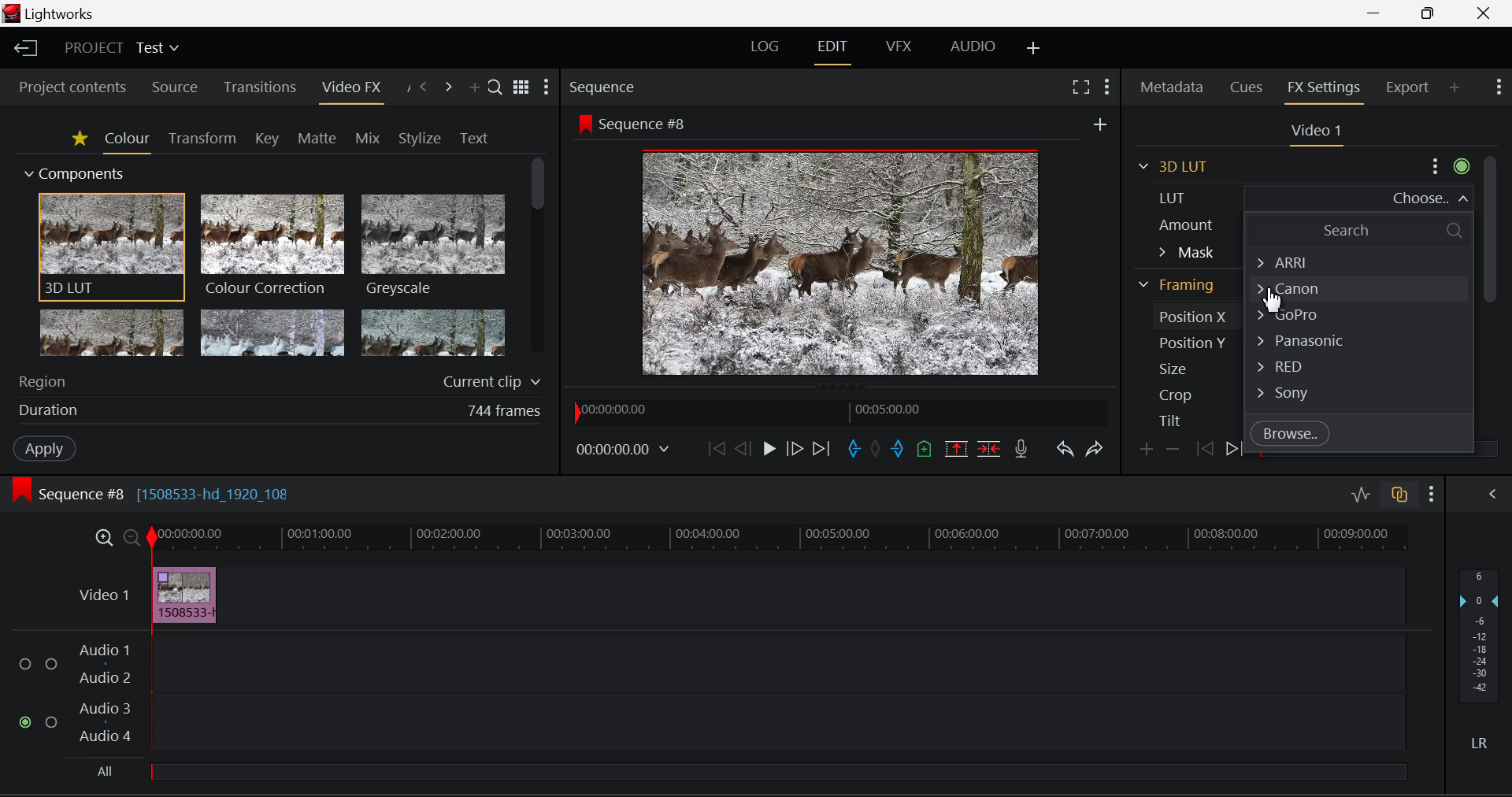  I want to click on Cursor Position, so click(1273, 298).